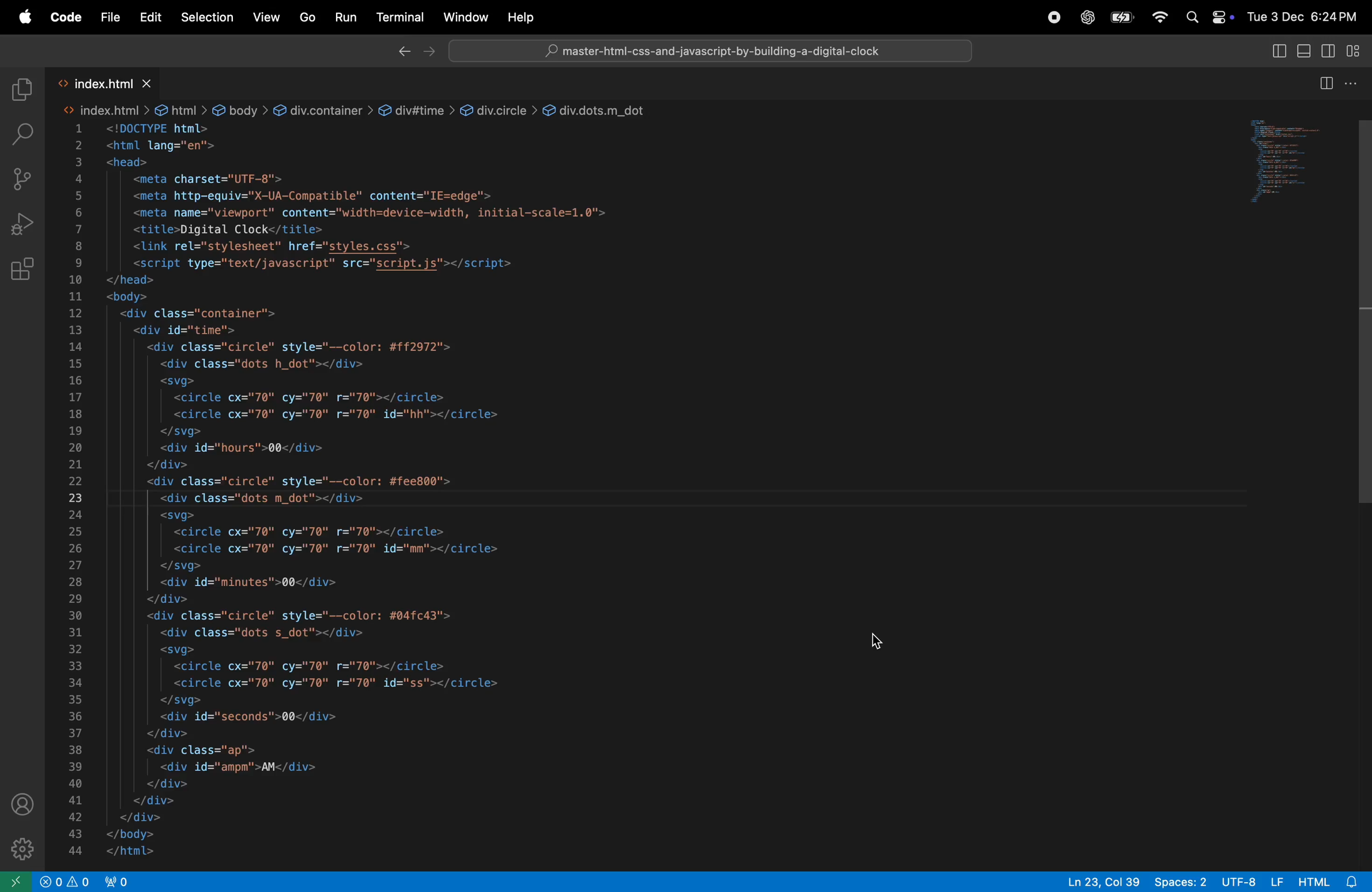 This screenshot has height=892, width=1372. I want to click on vertical scroll bar, so click(1362, 308).